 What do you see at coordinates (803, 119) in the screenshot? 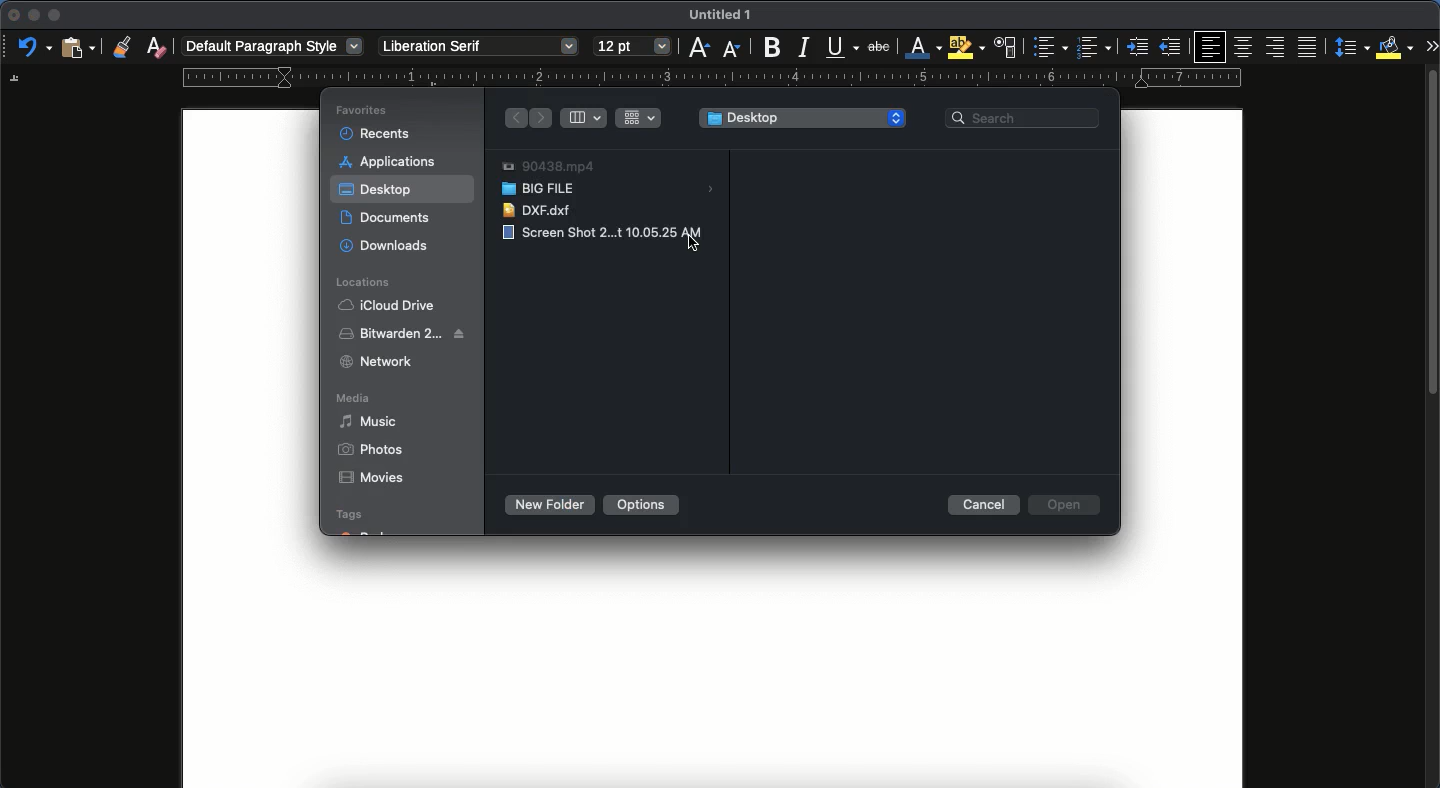
I see `desktop` at bounding box center [803, 119].